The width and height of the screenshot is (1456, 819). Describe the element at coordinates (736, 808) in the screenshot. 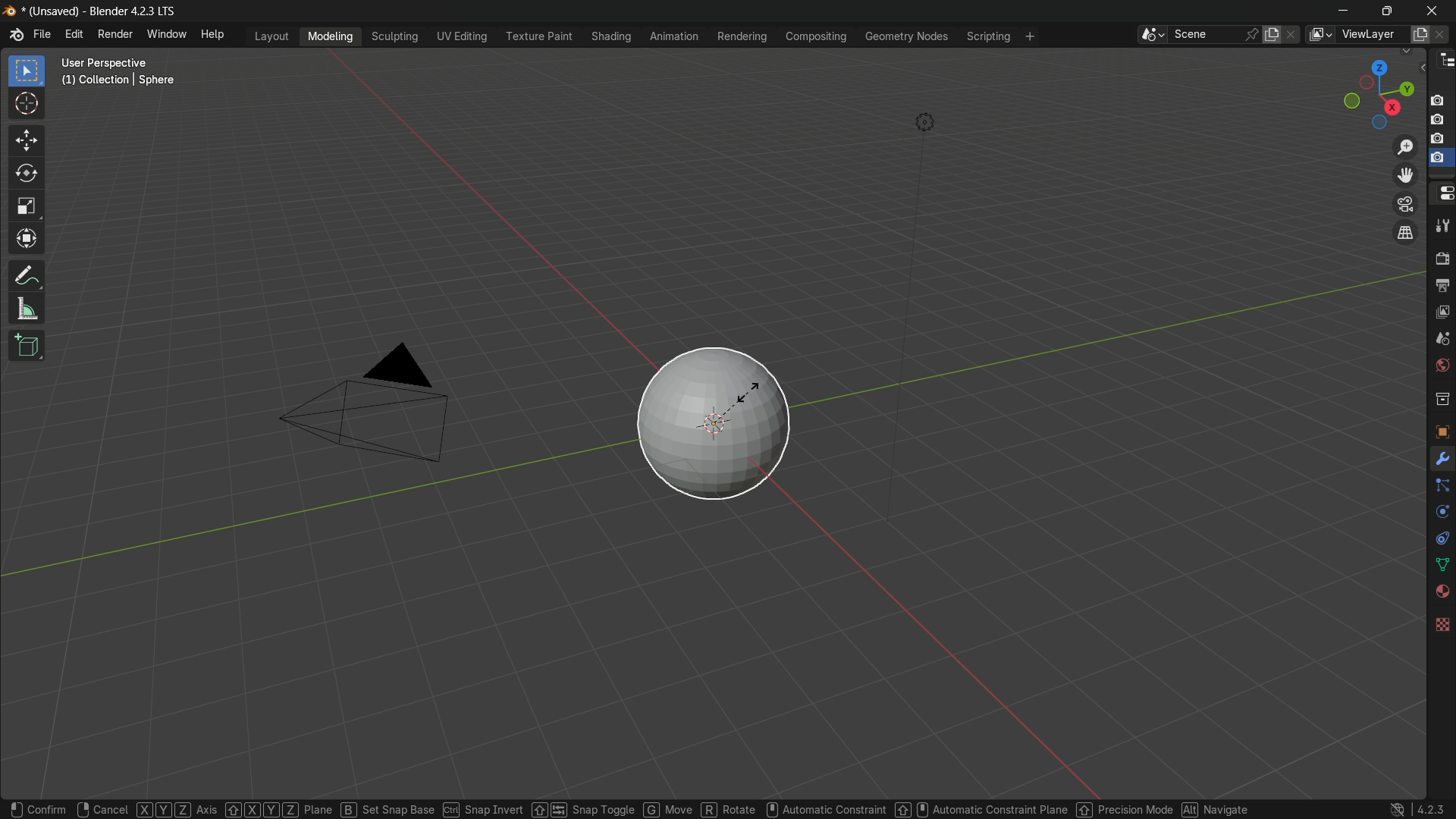

I see `Rotate` at that location.